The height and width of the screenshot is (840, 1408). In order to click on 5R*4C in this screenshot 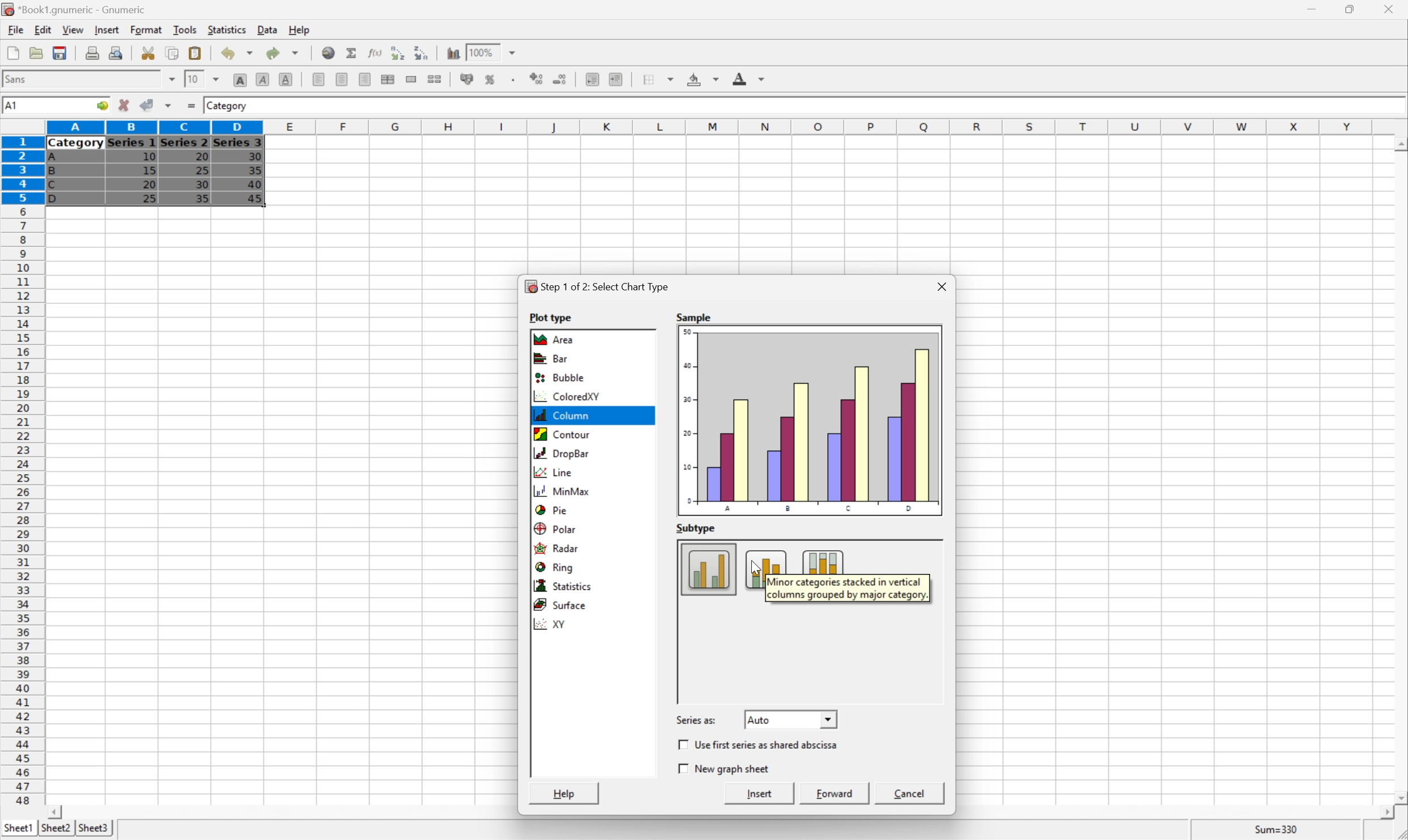, I will do `click(24, 107)`.